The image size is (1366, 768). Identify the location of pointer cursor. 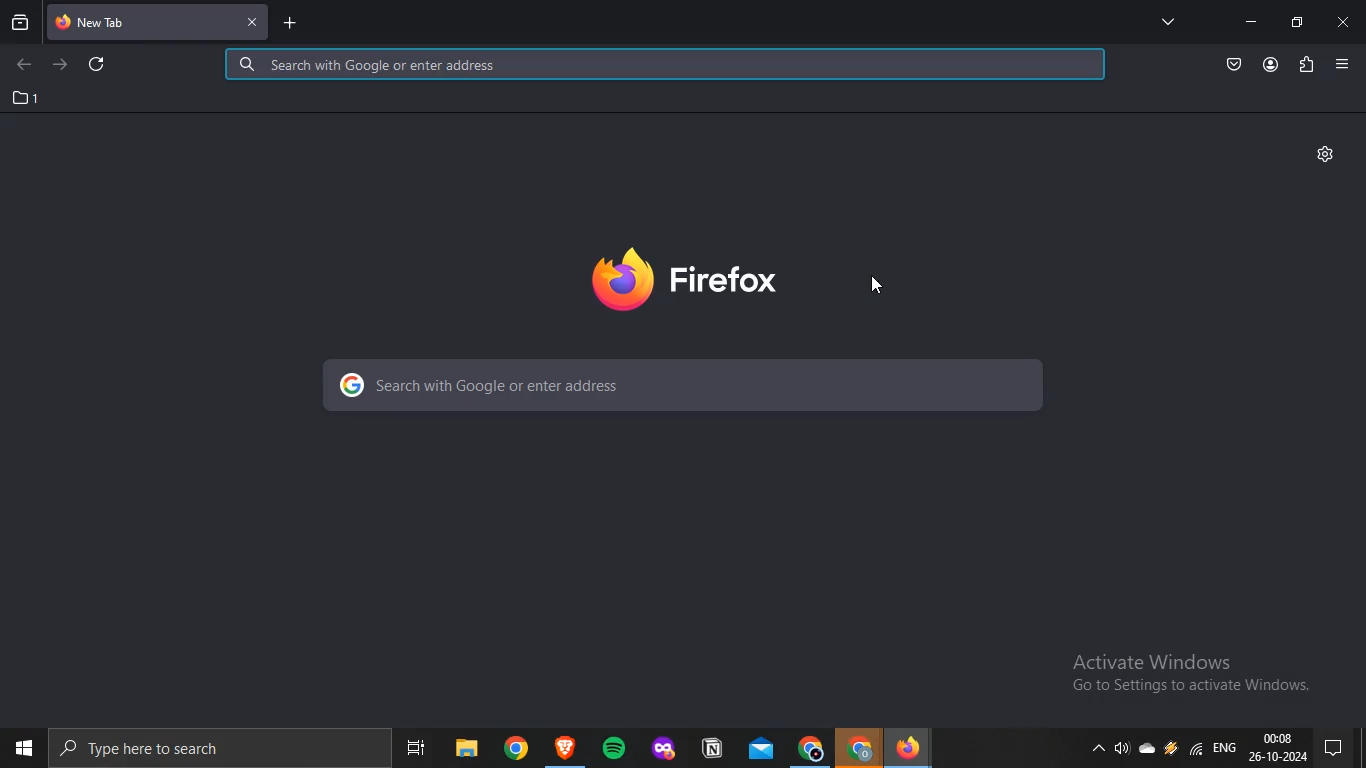
(886, 290).